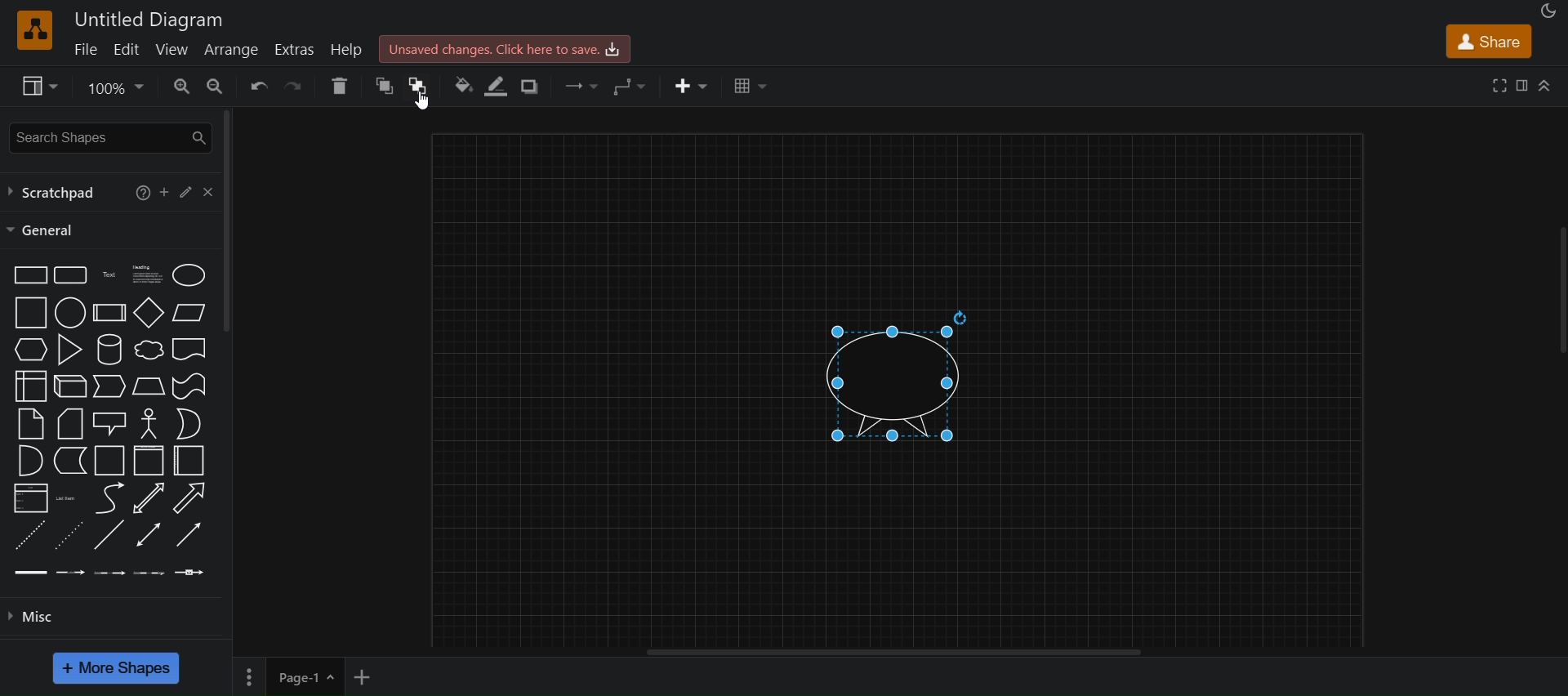  Describe the element at coordinates (212, 190) in the screenshot. I see `close` at that location.